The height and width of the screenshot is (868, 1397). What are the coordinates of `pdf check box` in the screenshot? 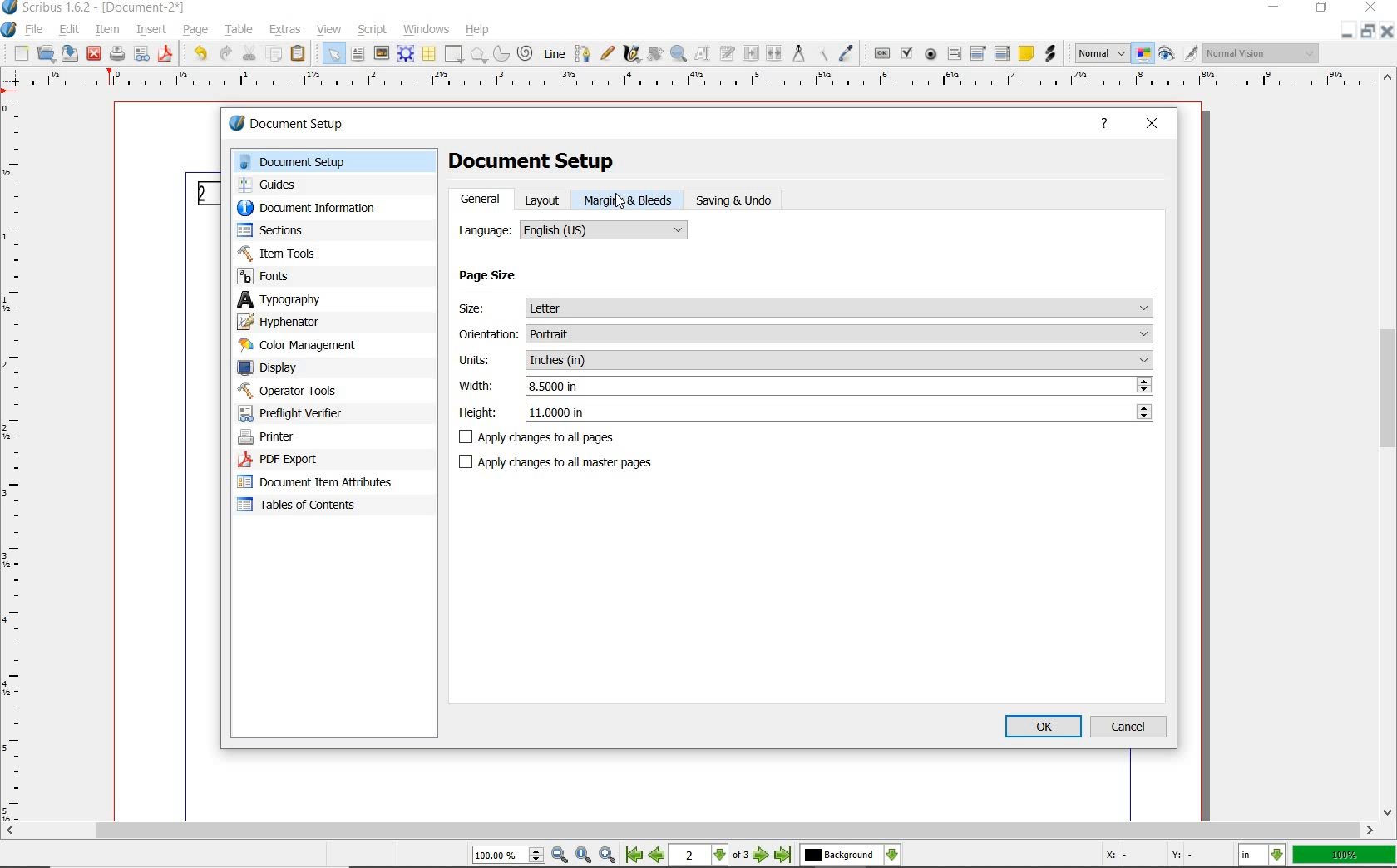 It's located at (908, 55).